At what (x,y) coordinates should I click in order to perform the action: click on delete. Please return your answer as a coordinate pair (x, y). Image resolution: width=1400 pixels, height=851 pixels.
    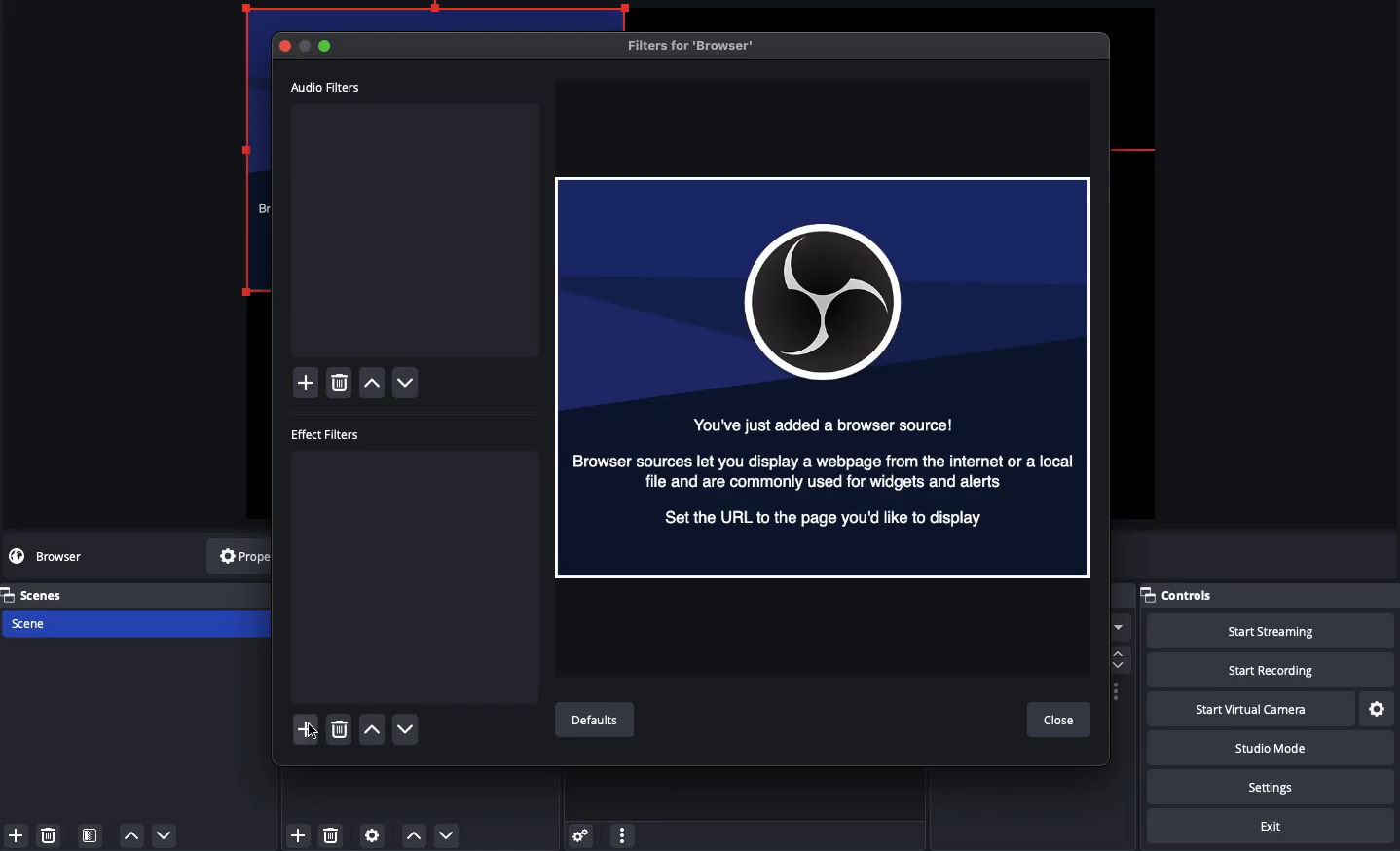
    Looking at the image, I should click on (336, 836).